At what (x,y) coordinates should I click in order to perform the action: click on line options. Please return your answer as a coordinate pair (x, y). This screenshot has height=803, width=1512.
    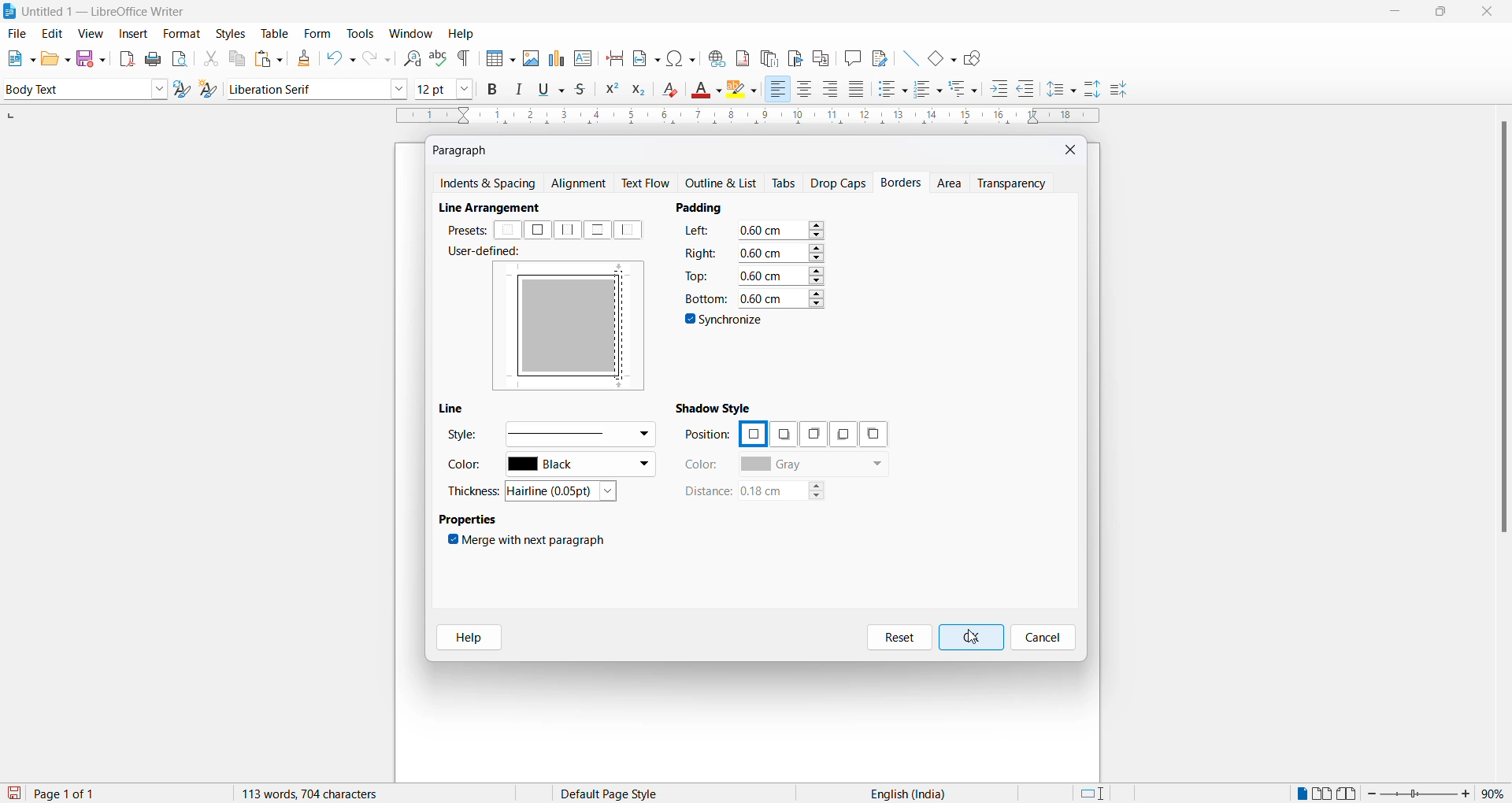
    Looking at the image, I should click on (579, 433).